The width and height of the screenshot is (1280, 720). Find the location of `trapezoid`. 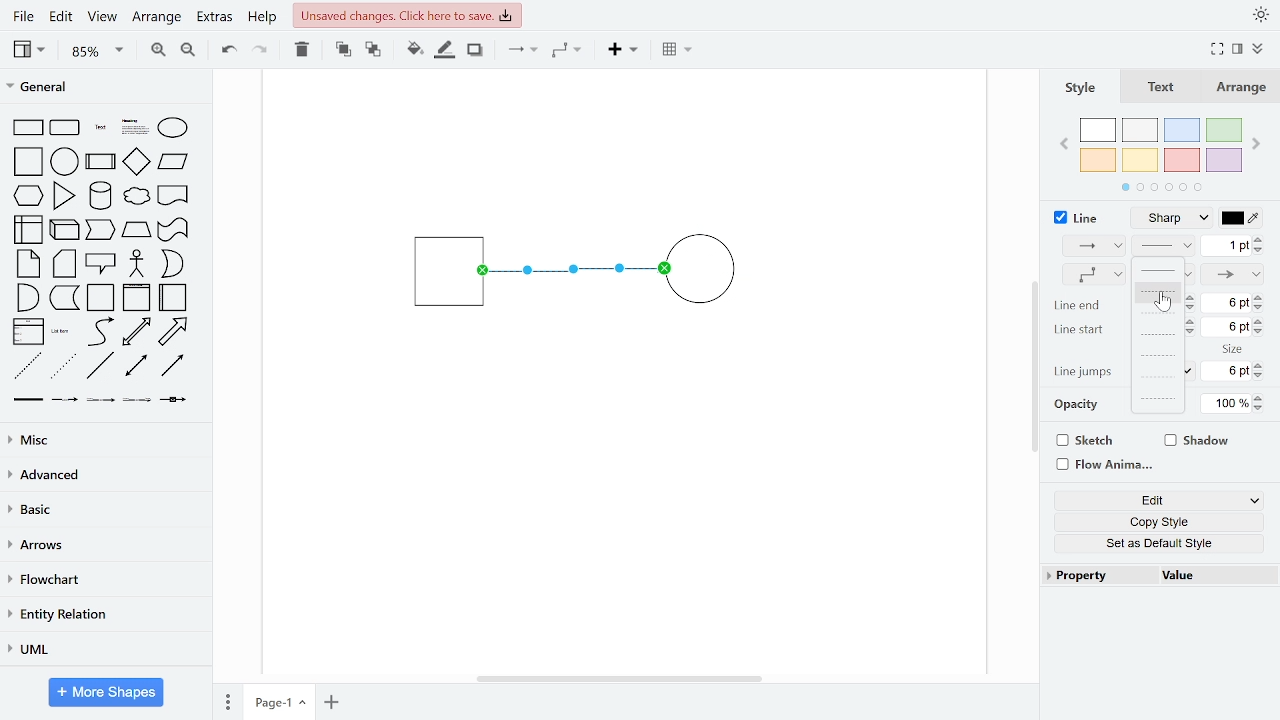

trapezoid is located at coordinates (136, 229).